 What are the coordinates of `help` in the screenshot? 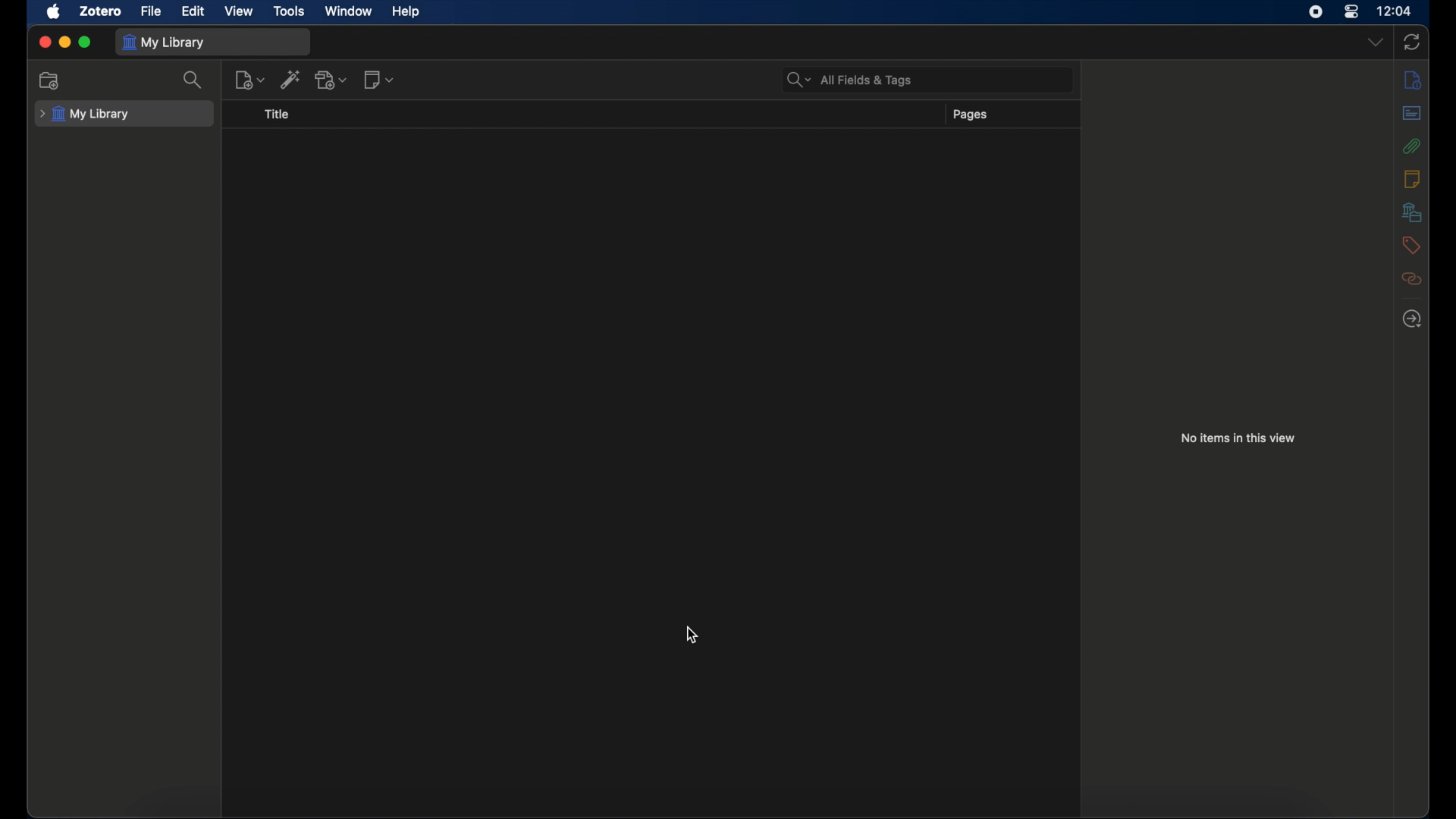 It's located at (406, 11).